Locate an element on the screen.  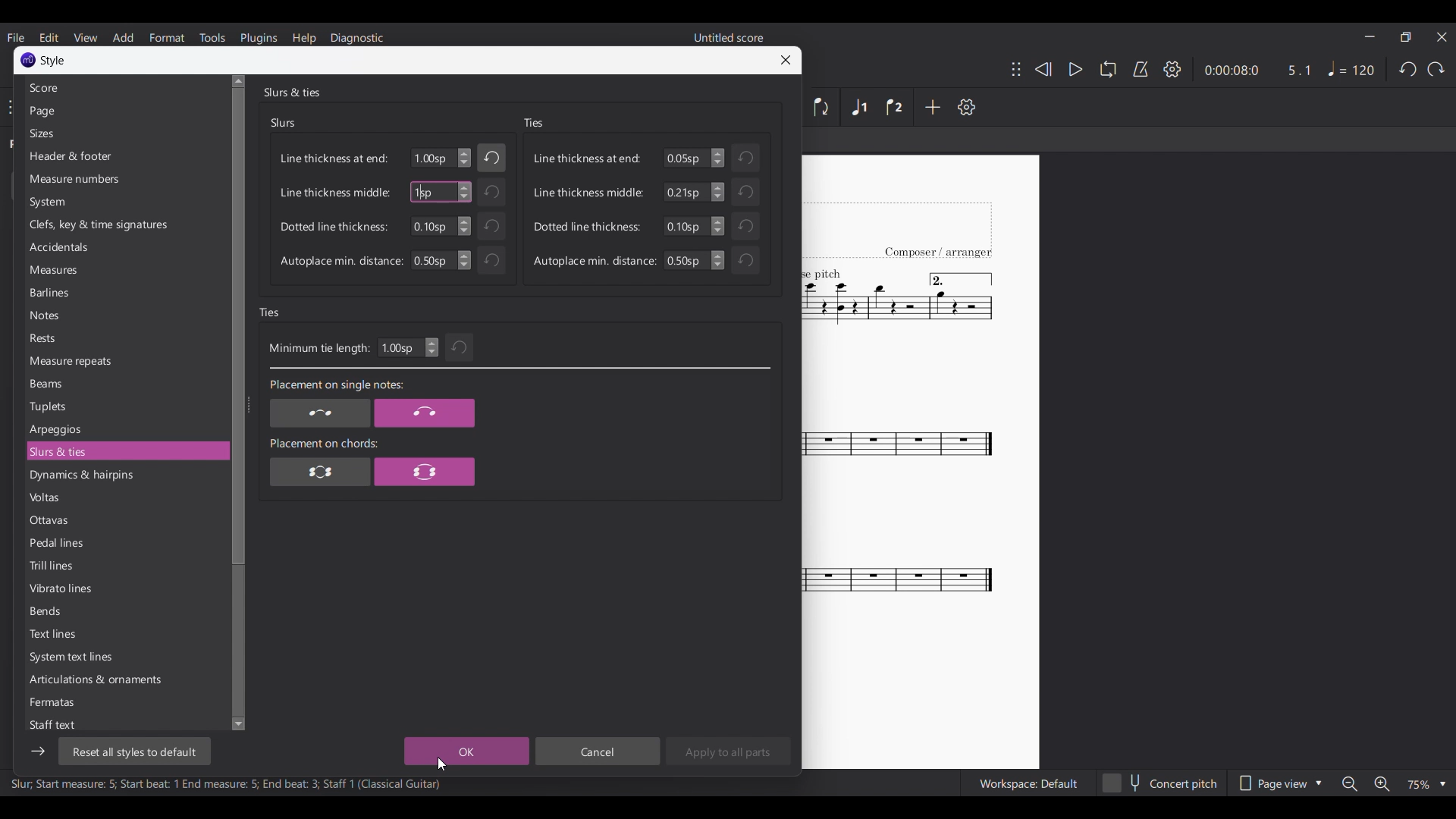
Score is located at coordinates (124, 88).